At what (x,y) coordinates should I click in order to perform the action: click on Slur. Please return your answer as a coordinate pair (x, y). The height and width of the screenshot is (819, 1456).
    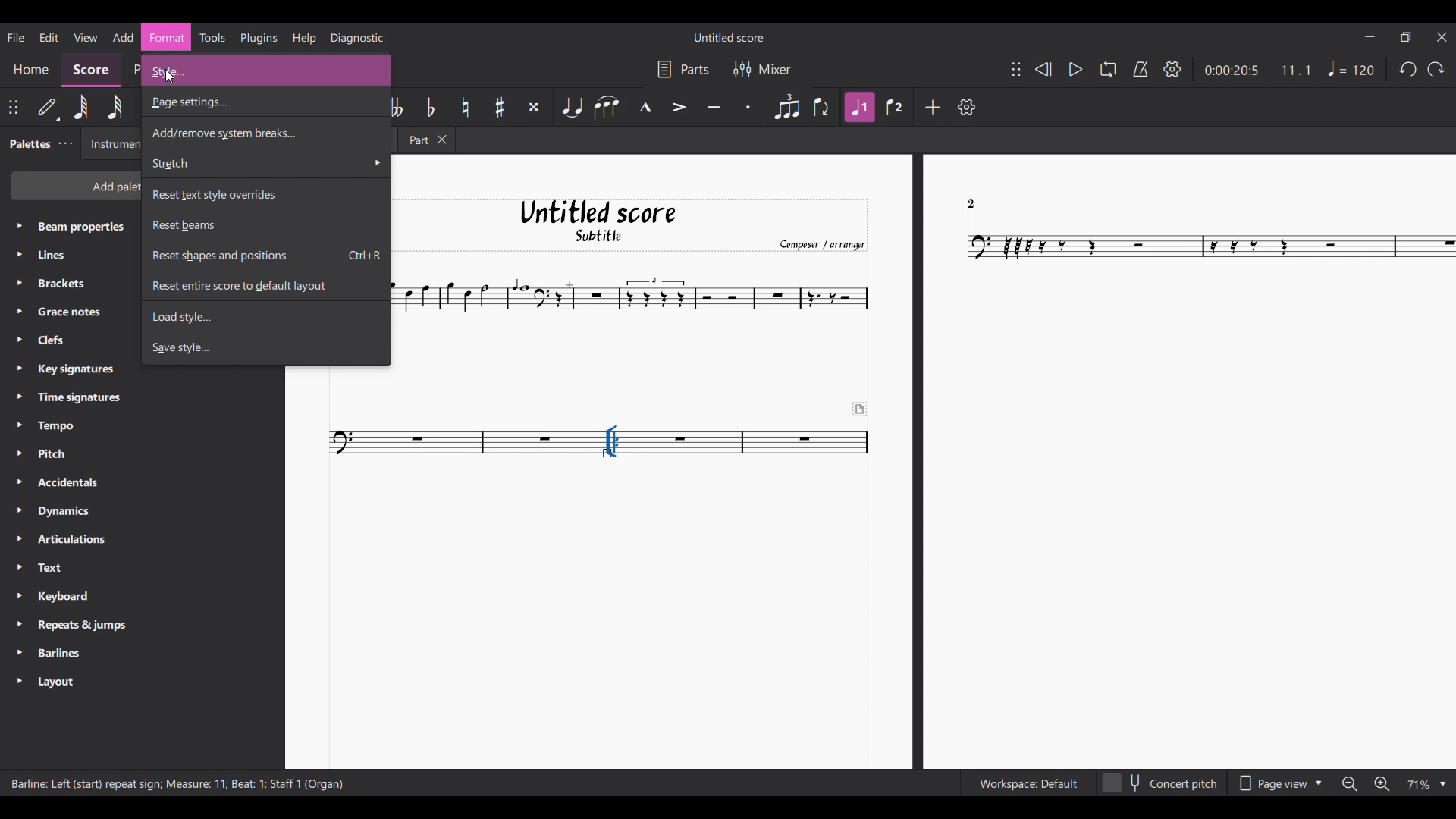
    Looking at the image, I should click on (606, 107).